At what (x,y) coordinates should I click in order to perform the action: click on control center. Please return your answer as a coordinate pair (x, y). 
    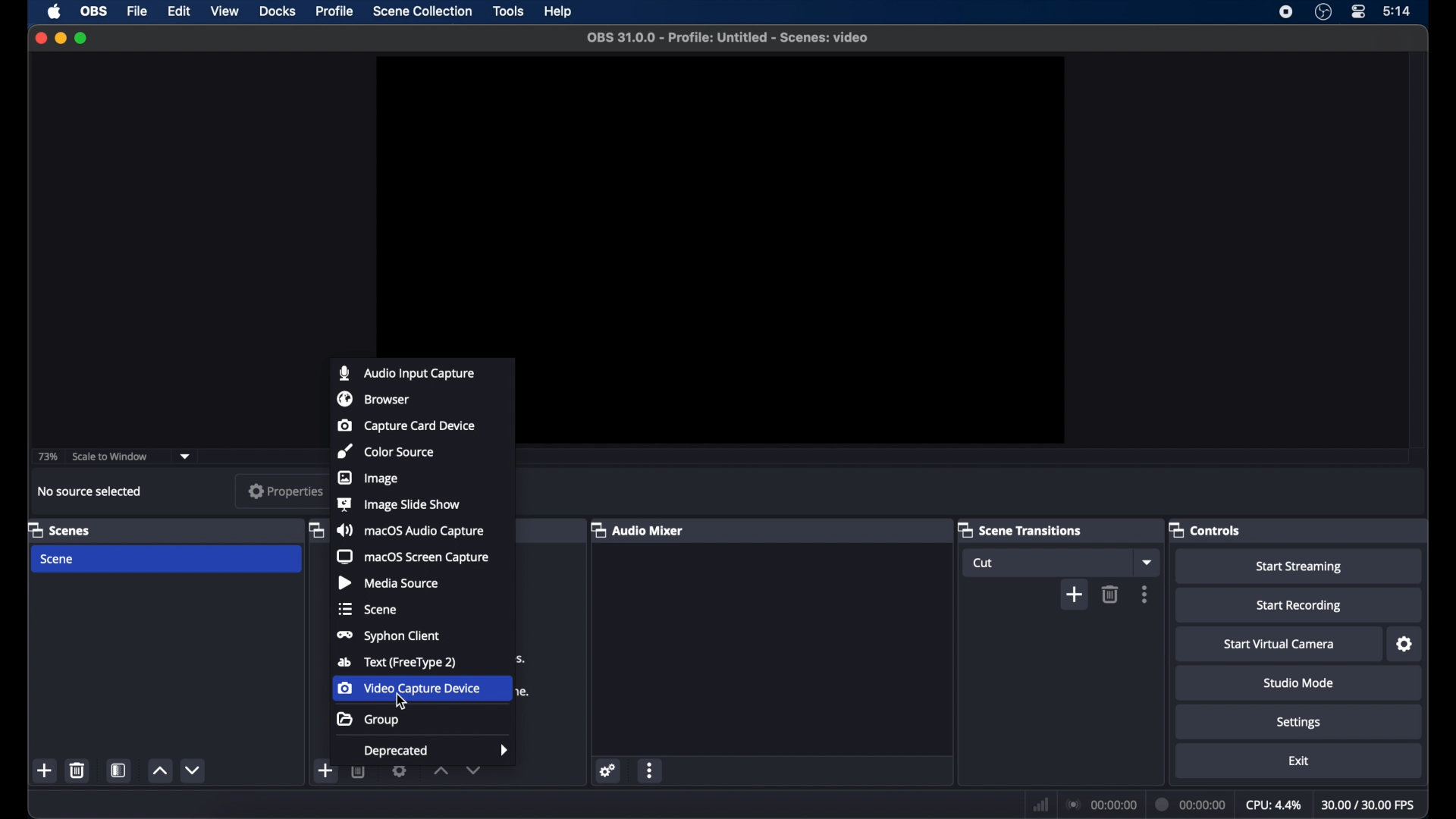
    Looking at the image, I should click on (1357, 11).